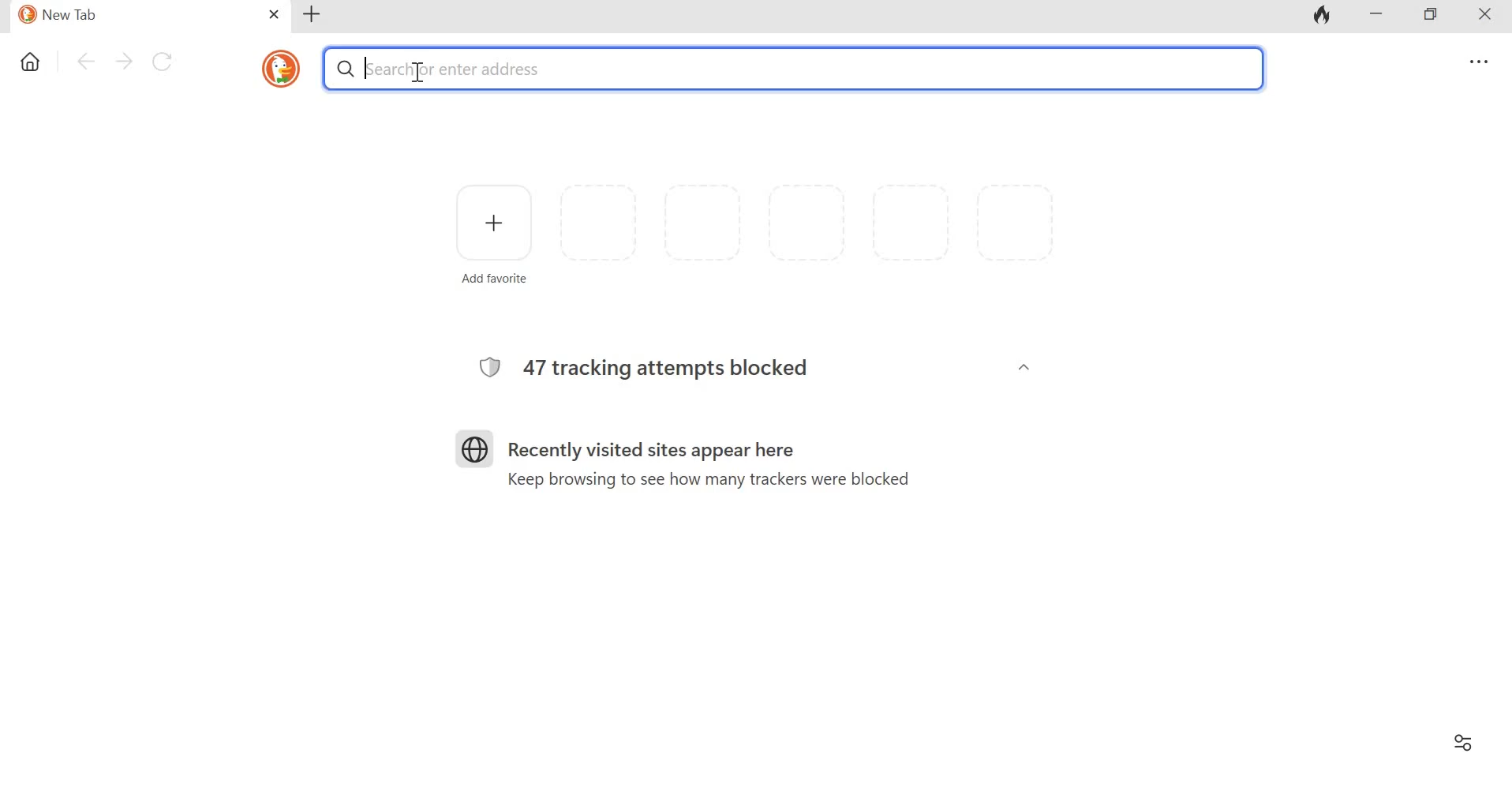  What do you see at coordinates (1319, 17) in the screenshot?
I see `Fire icon` at bounding box center [1319, 17].